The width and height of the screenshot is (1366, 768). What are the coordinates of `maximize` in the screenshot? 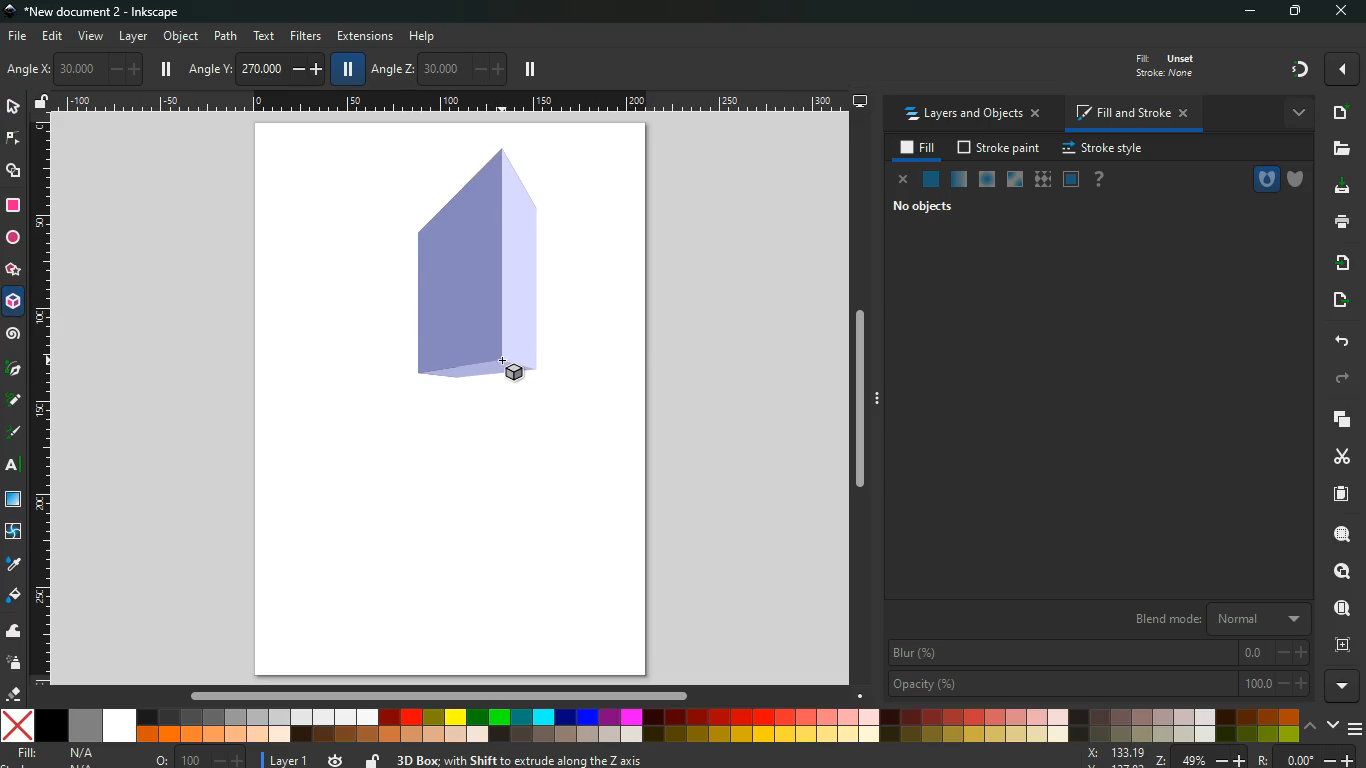 It's located at (1298, 12).